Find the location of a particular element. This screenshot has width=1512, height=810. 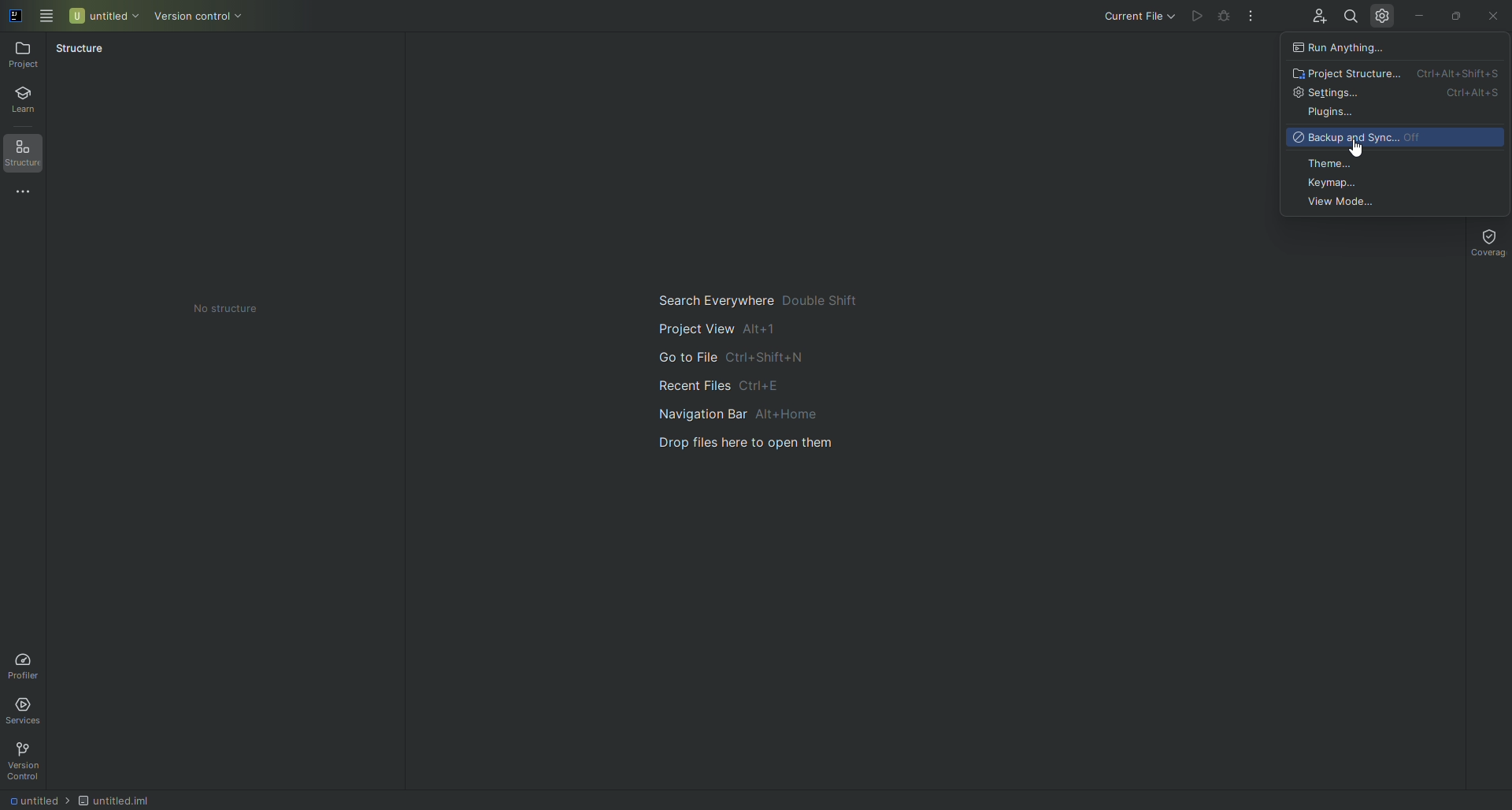

Run Anything is located at coordinates (1351, 48).